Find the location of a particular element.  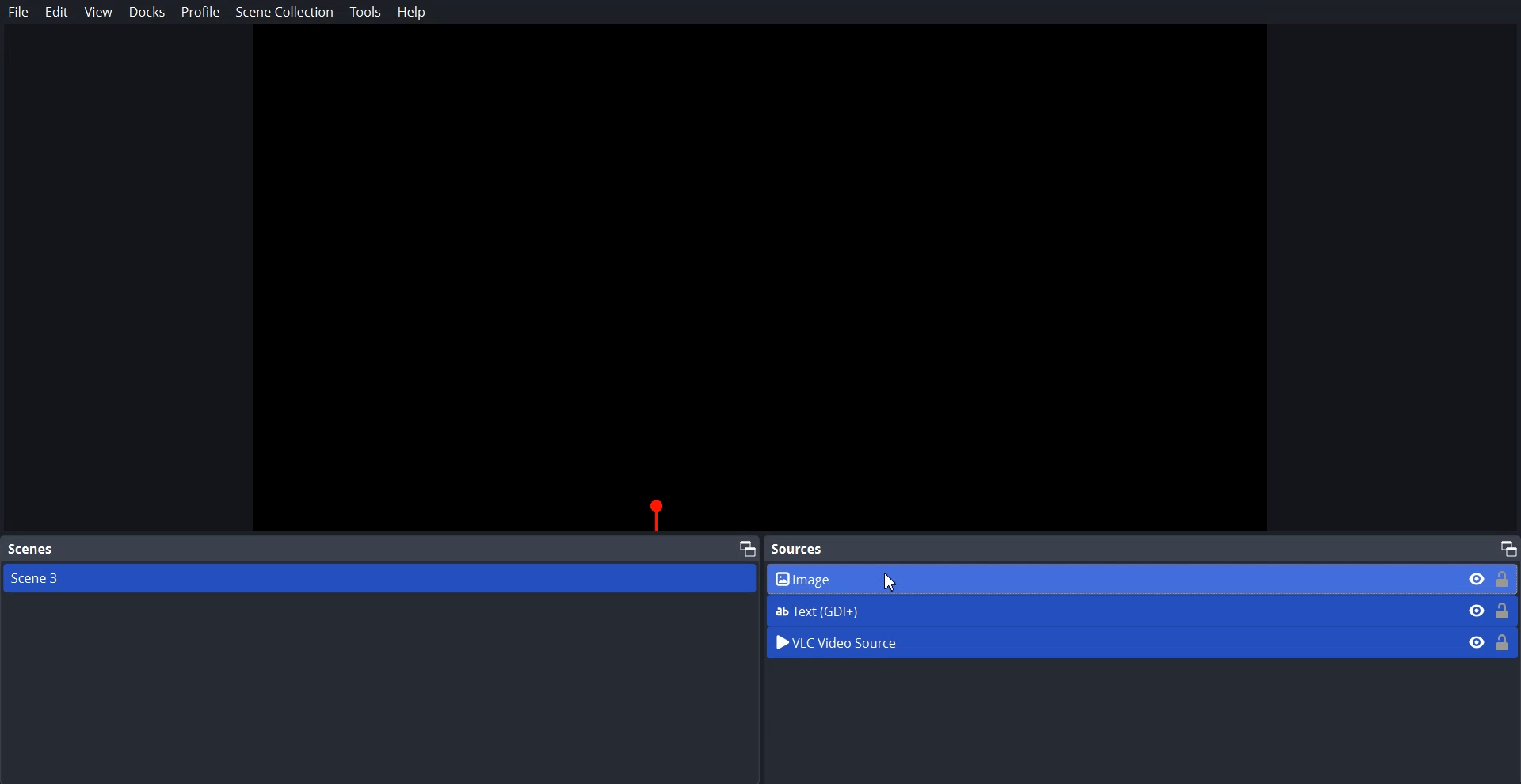

Text (GDI+) is located at coordinates (1143, 611).